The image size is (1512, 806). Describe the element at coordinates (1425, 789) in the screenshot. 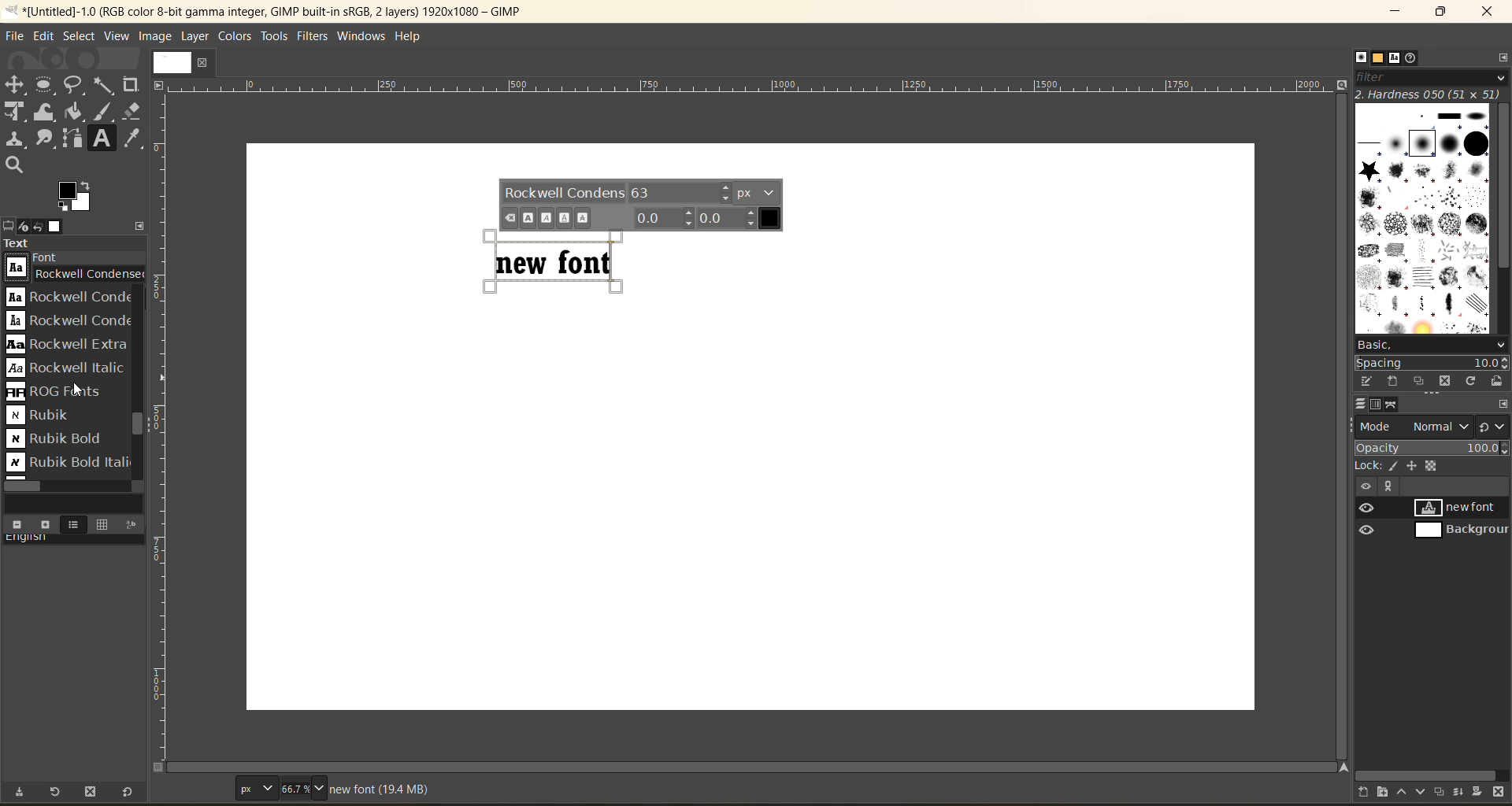

I see `lower this layer` at that location.